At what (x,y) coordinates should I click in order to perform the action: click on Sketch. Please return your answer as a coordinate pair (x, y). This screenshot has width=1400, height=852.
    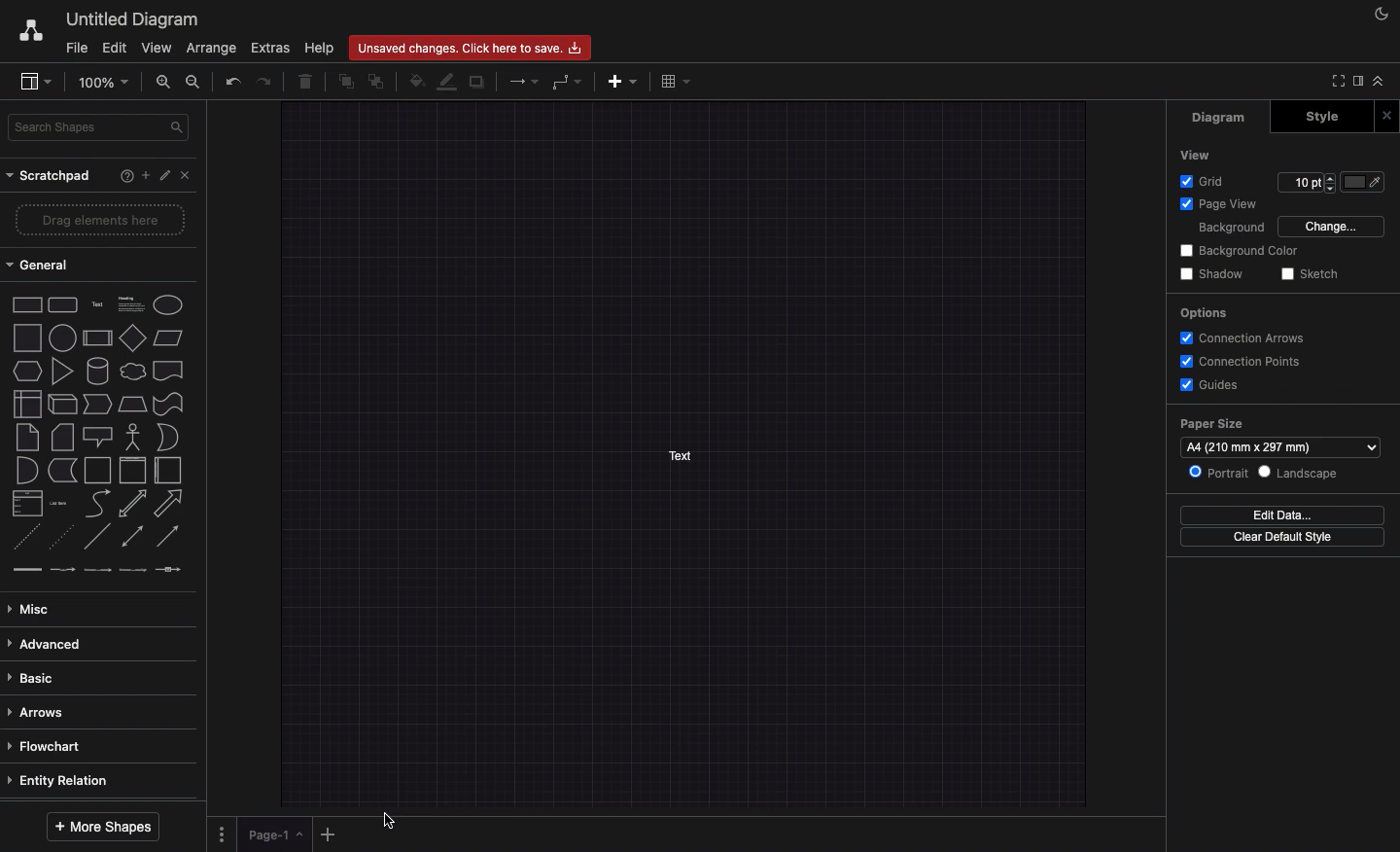
    Looking at the image, I should click on (1313, 274).